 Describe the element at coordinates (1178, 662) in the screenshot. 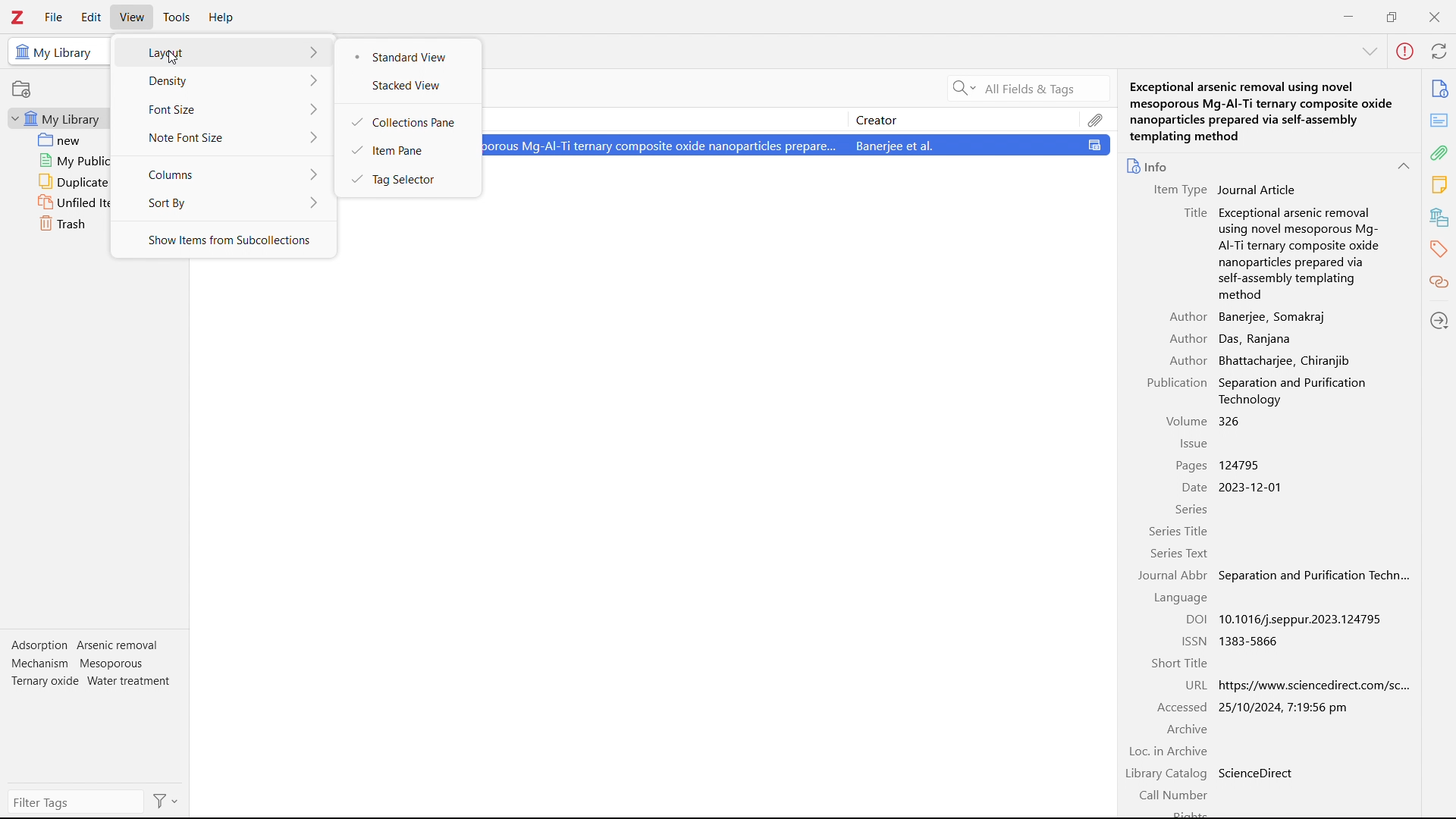

I see `Short Title` at that location.